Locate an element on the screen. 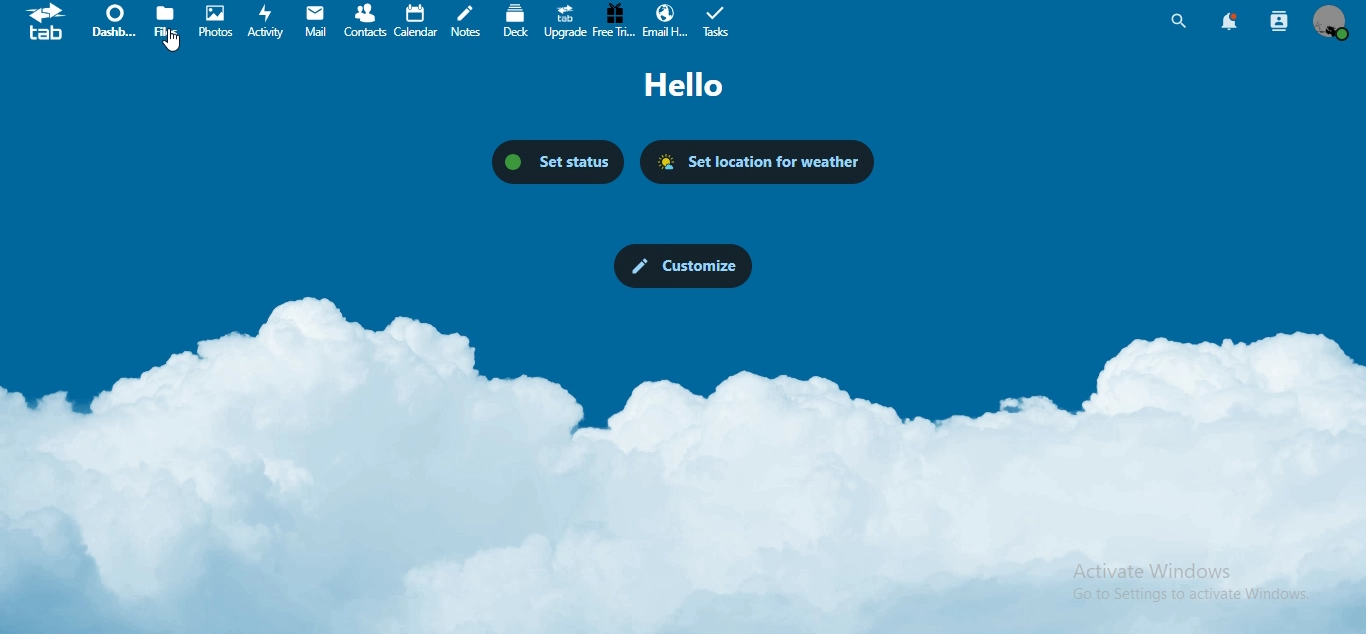 The height and width of the screenshot is (634, 1366). files is located at coordinates (168, 19).